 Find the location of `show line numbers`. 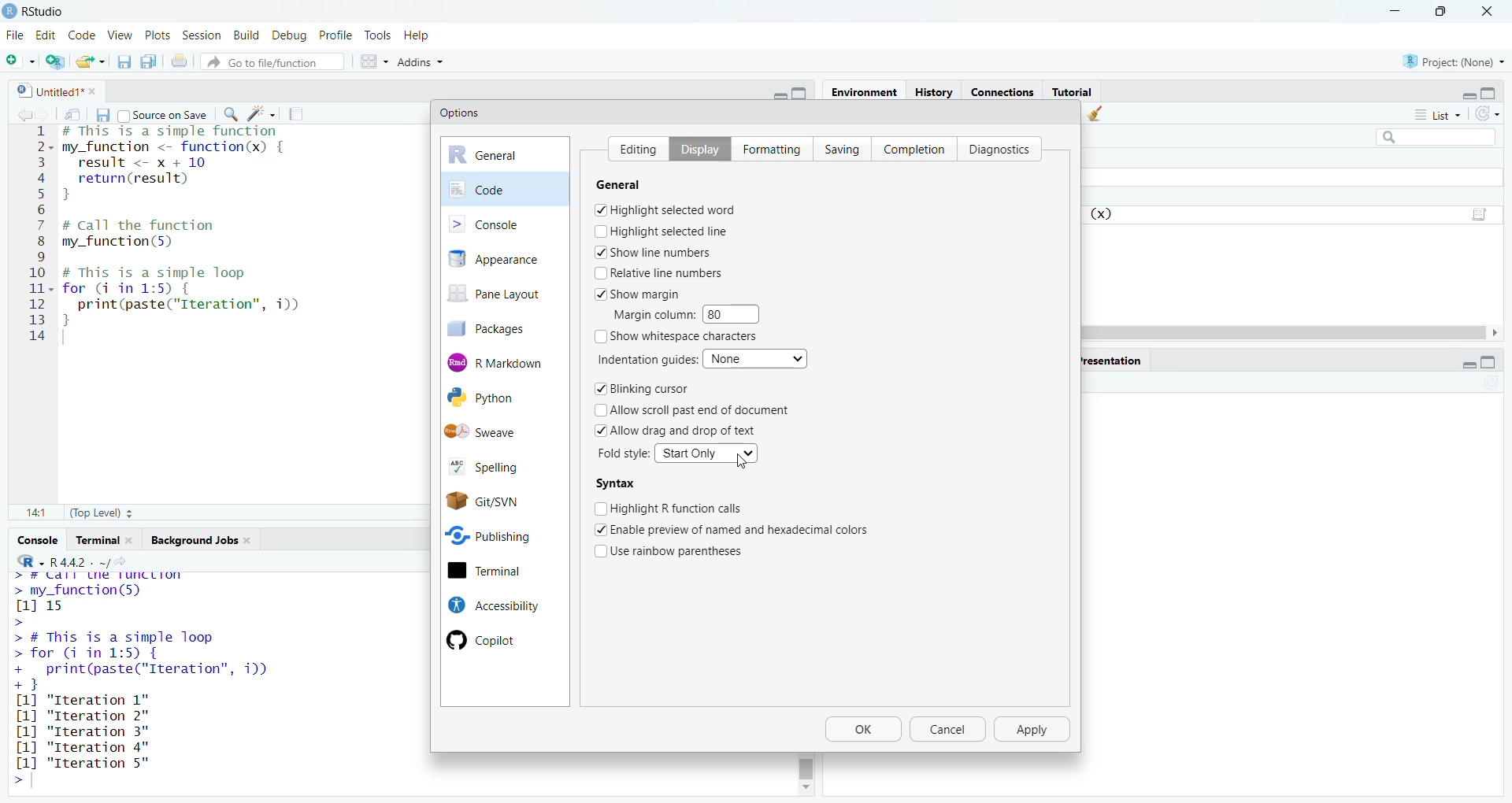

show line numbers is located at coordinates (654, 252).